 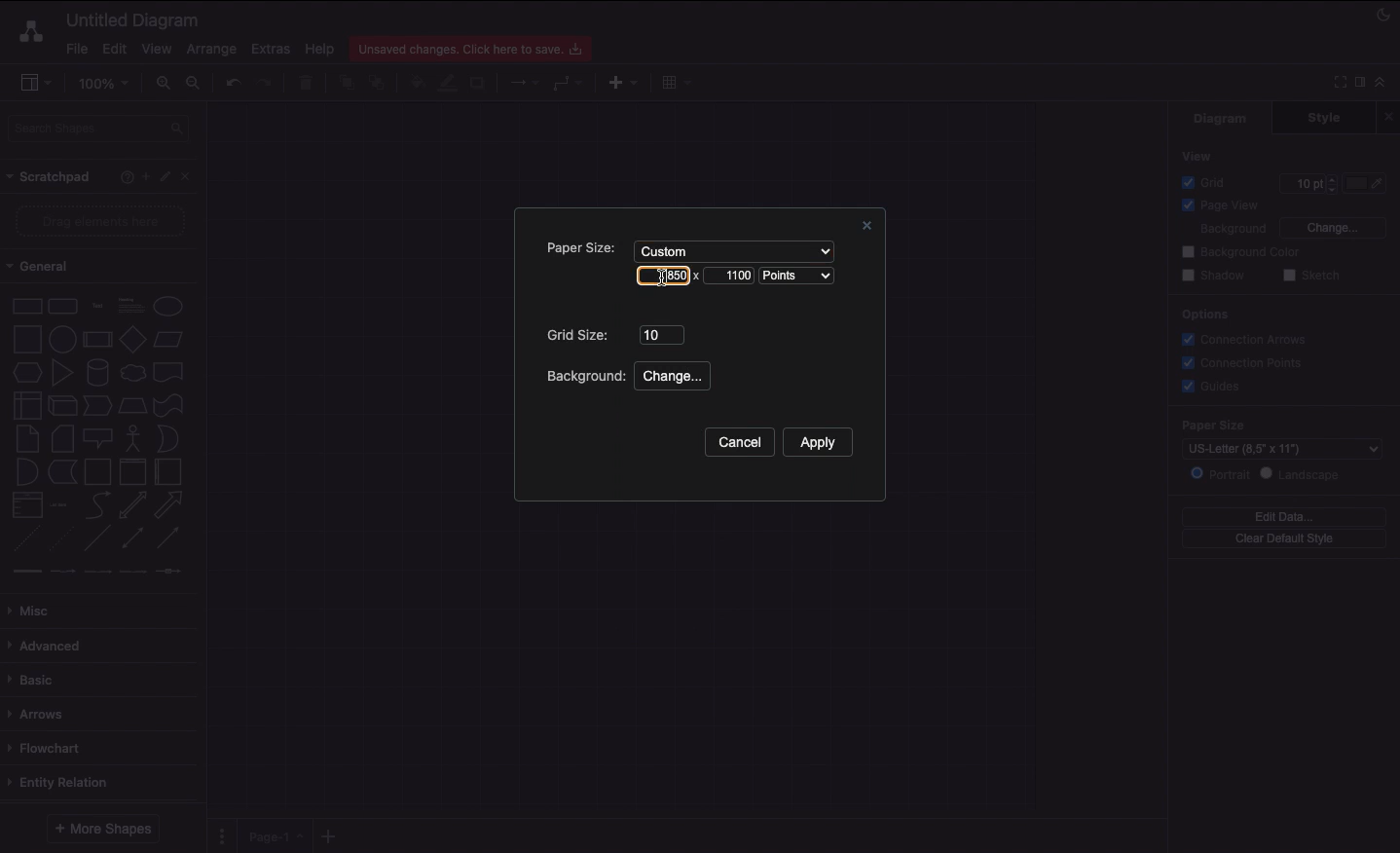 What do you see at coordinates (157, 46) in the screenshot?
I see `View` at bounding box center [157, 46].